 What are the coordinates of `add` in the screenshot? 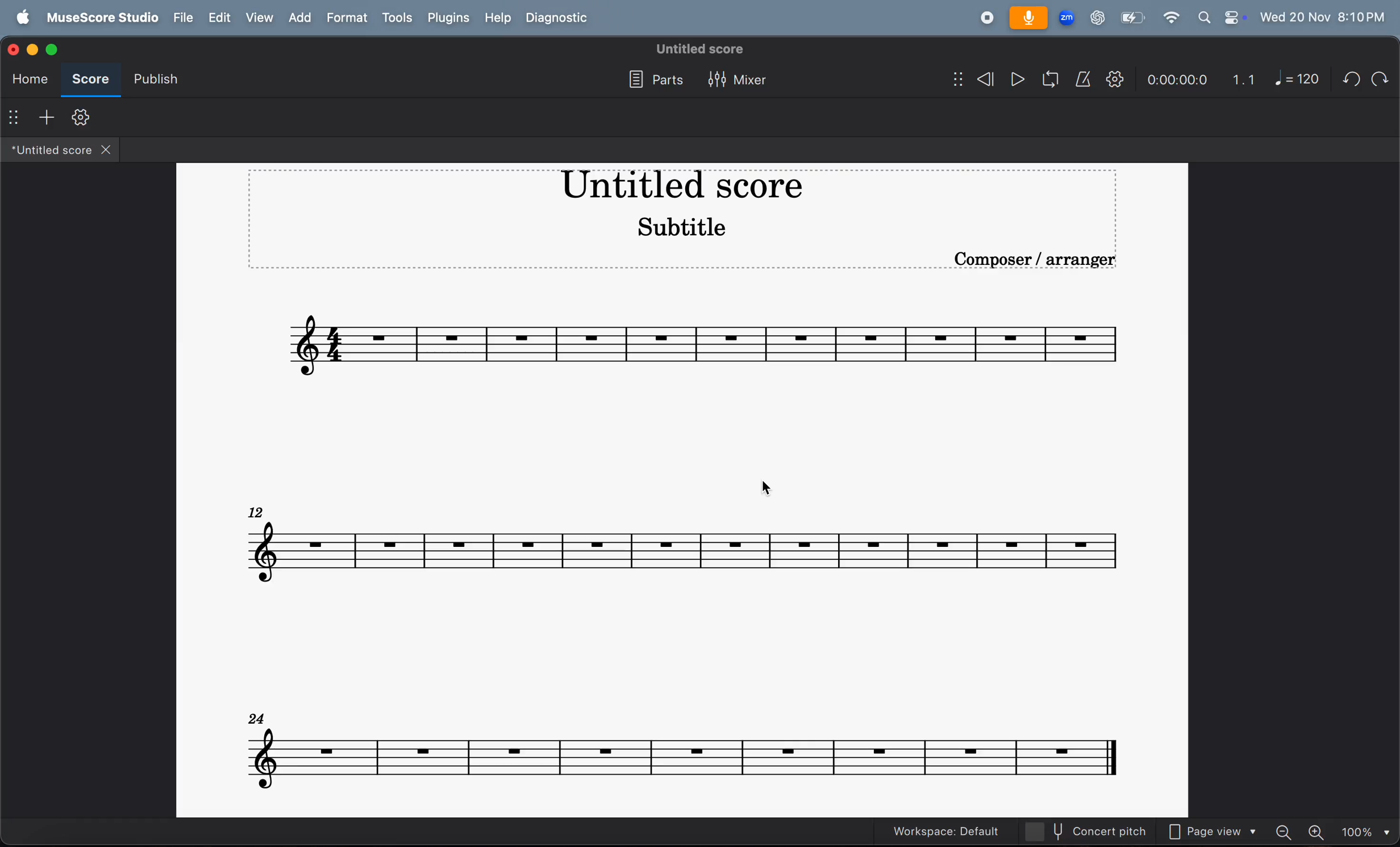 It's located at (299, 18).